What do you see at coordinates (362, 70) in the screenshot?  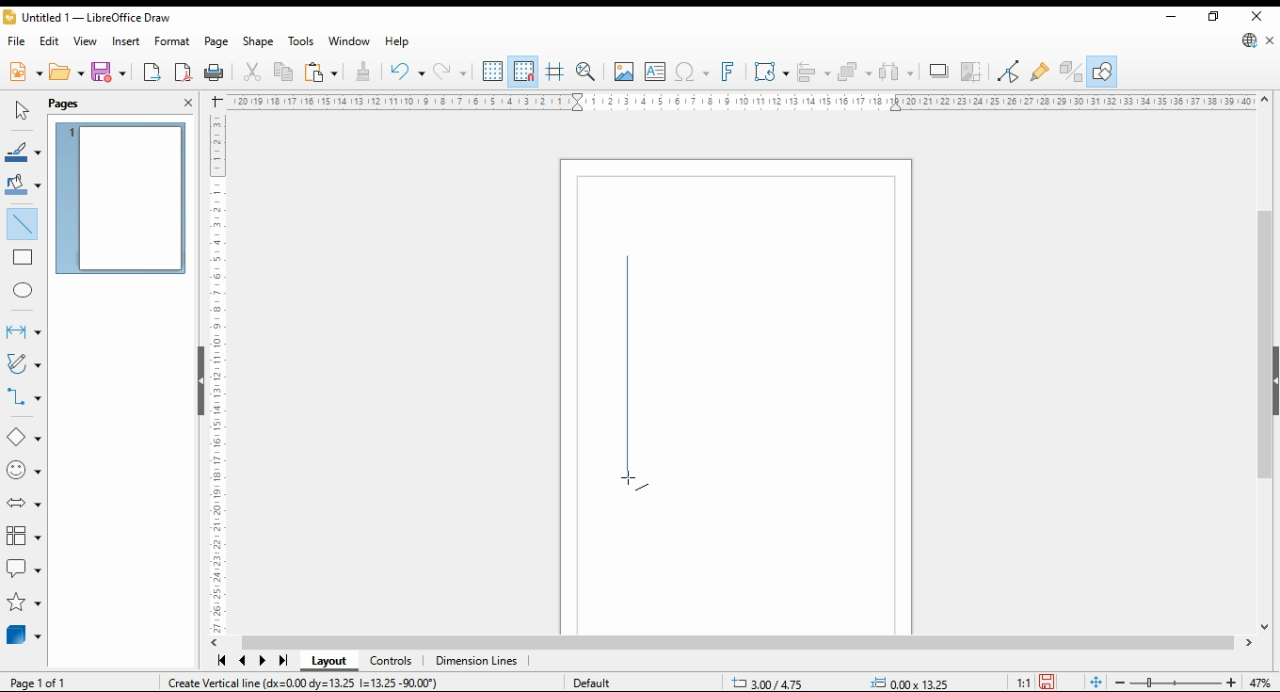 I see `clone formatting` at bounding box center [362, 70].